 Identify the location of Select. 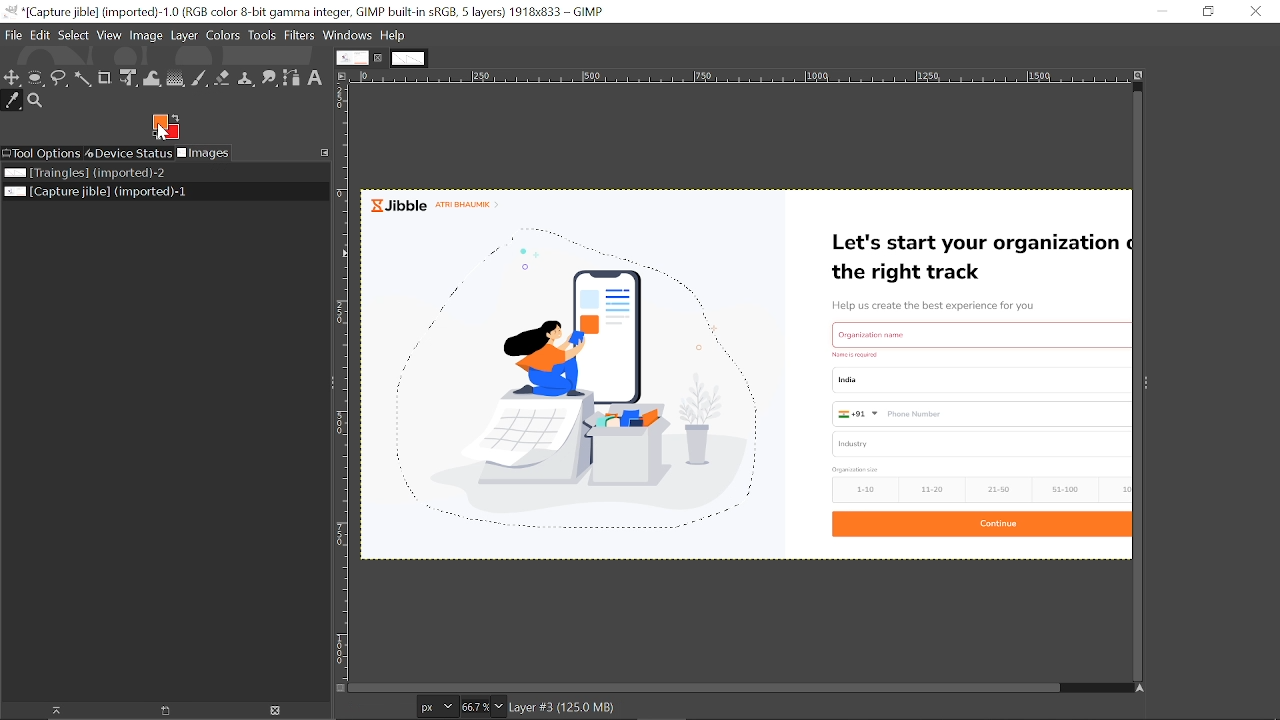
(74, 36).